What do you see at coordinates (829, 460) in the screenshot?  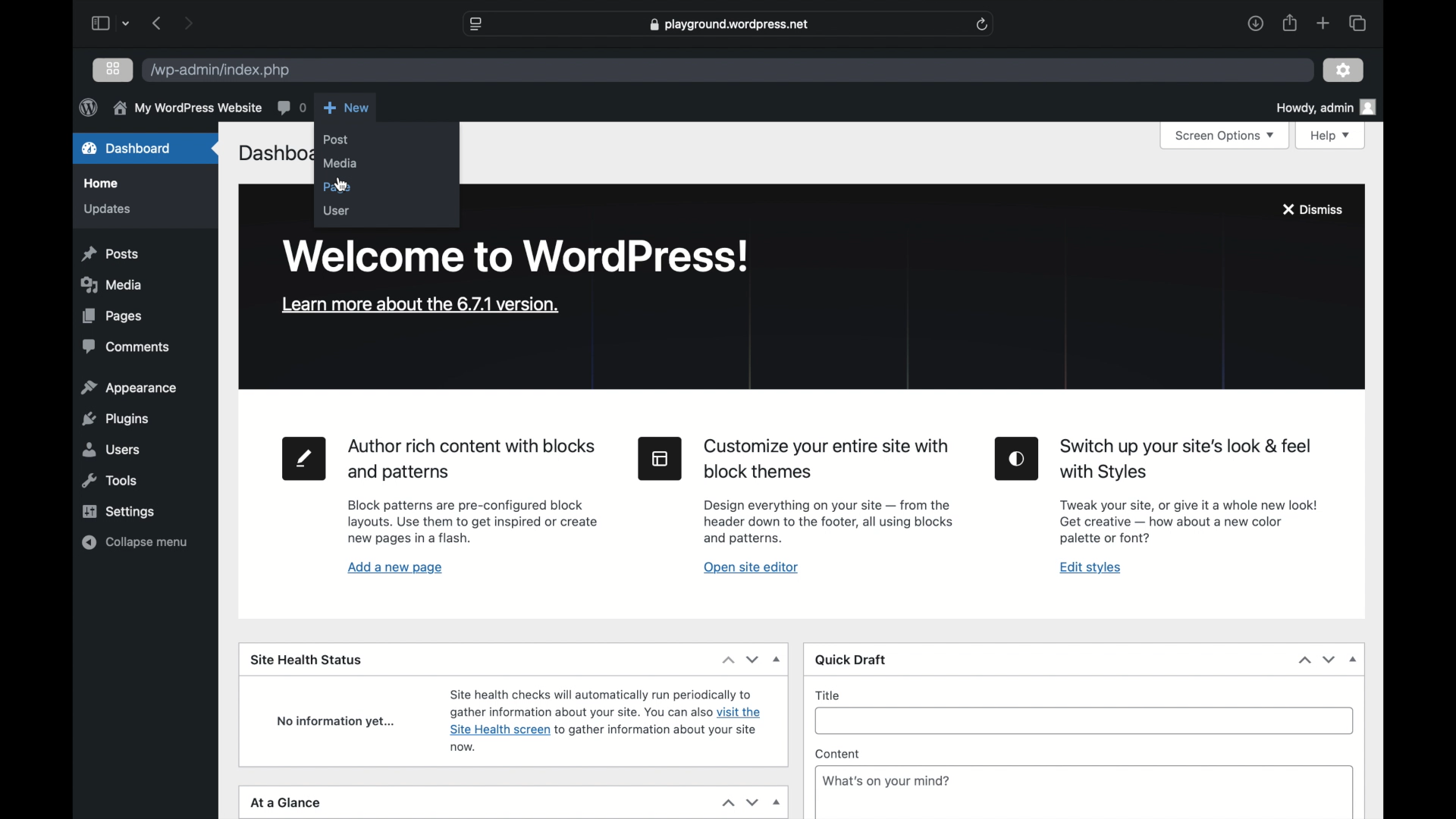 I see `heading` at bounding box center [829, 460].